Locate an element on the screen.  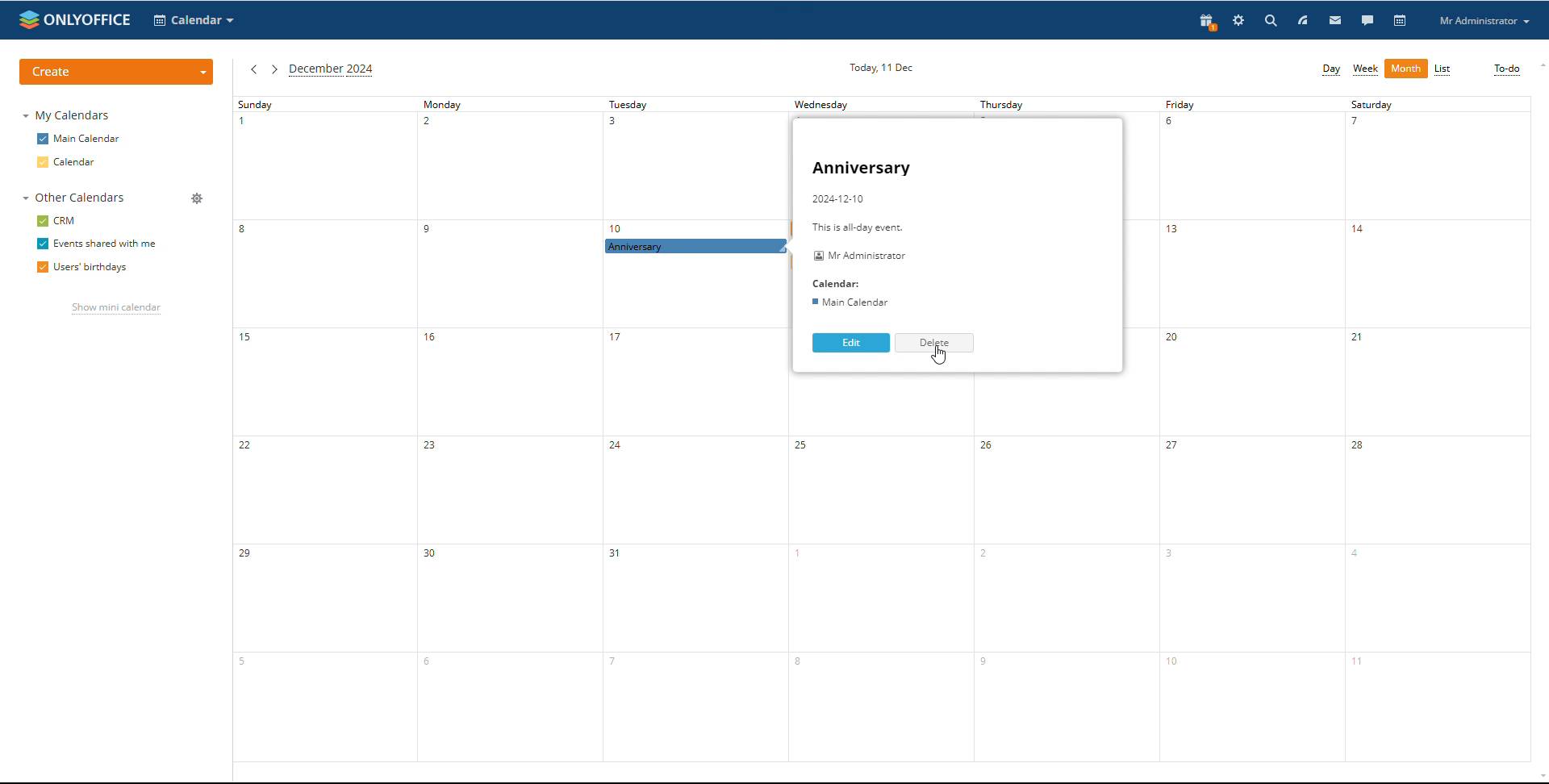
next month is located at coordinates (273, 70).